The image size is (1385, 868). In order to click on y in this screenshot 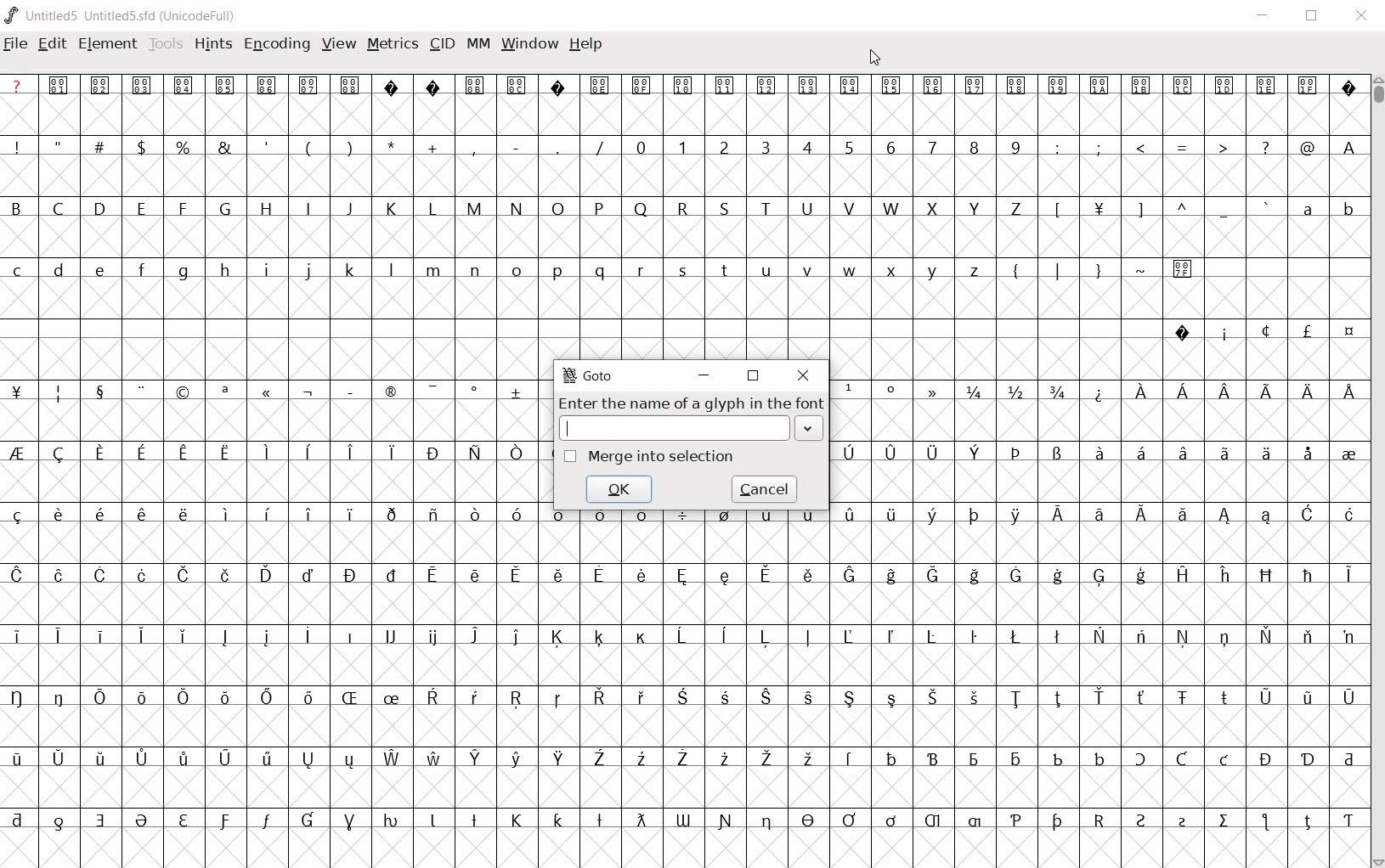, I will do `click(934, 270)`.